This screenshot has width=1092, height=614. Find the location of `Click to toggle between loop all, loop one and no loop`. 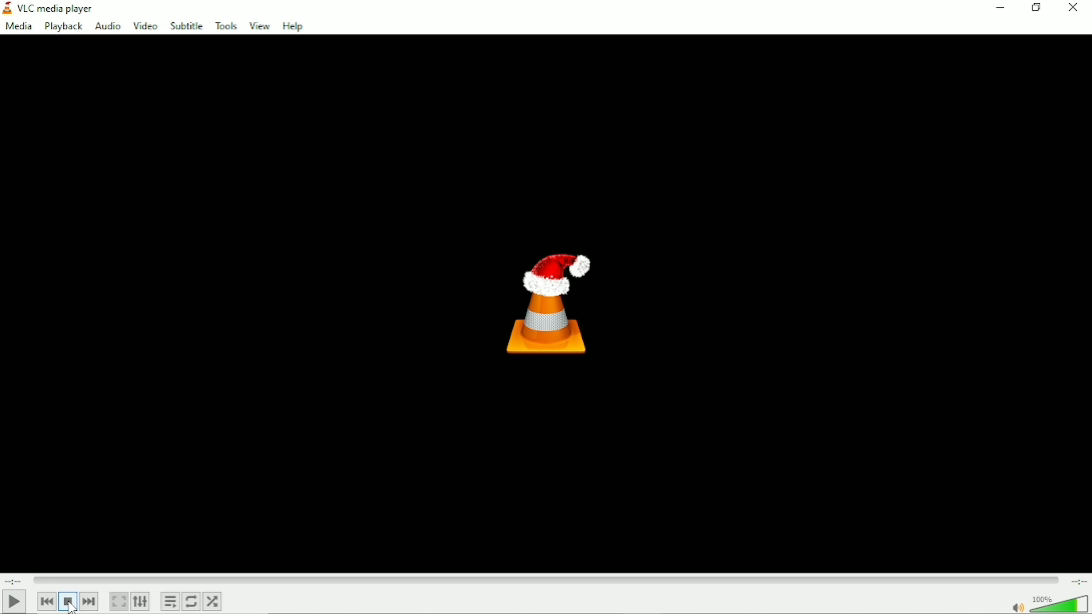

Click to toggle between loop all, loop one and no loop is located at coordinates (191, 602).